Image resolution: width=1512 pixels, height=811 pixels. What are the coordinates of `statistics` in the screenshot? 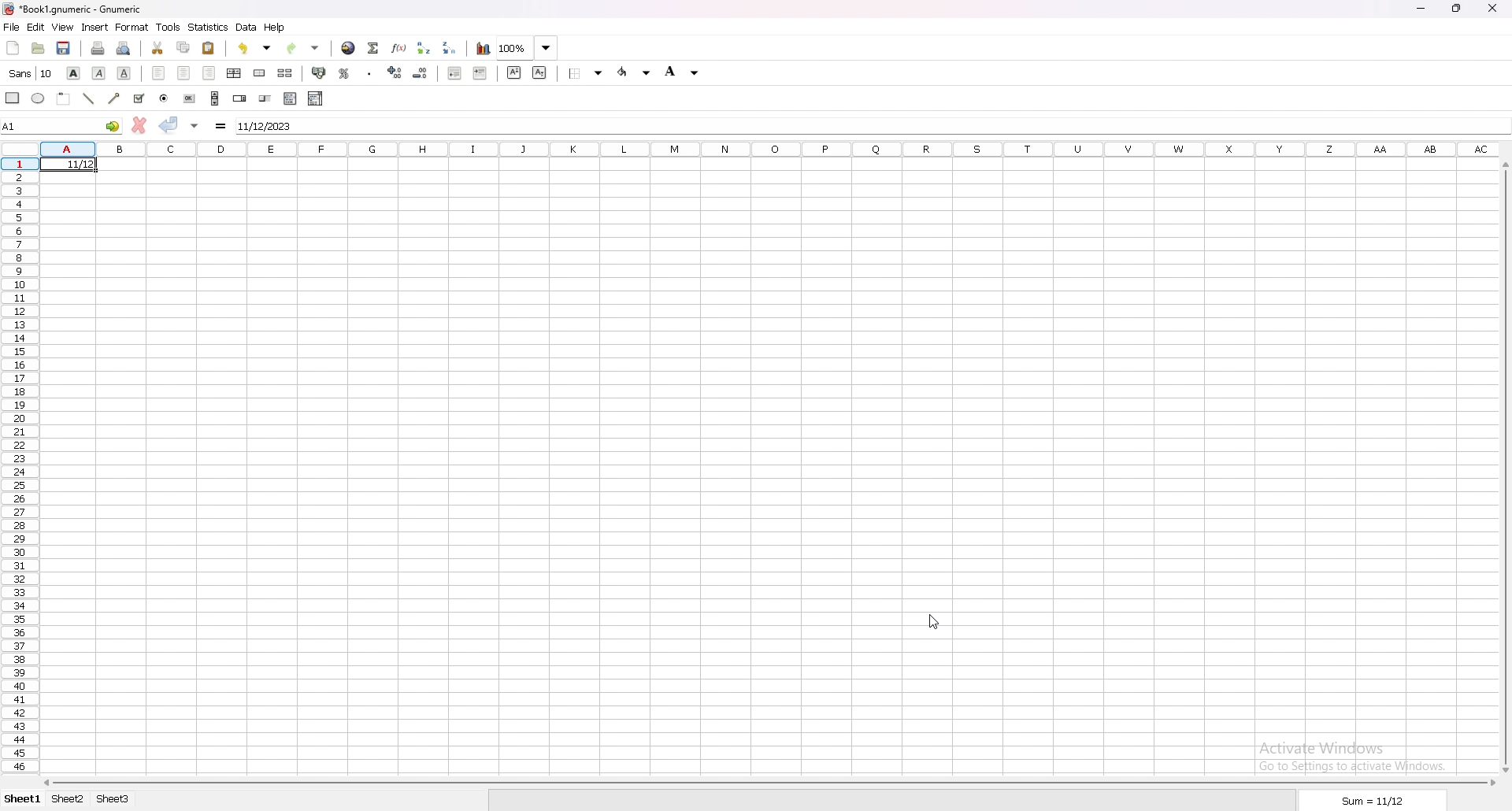 It's located at (209, 27).